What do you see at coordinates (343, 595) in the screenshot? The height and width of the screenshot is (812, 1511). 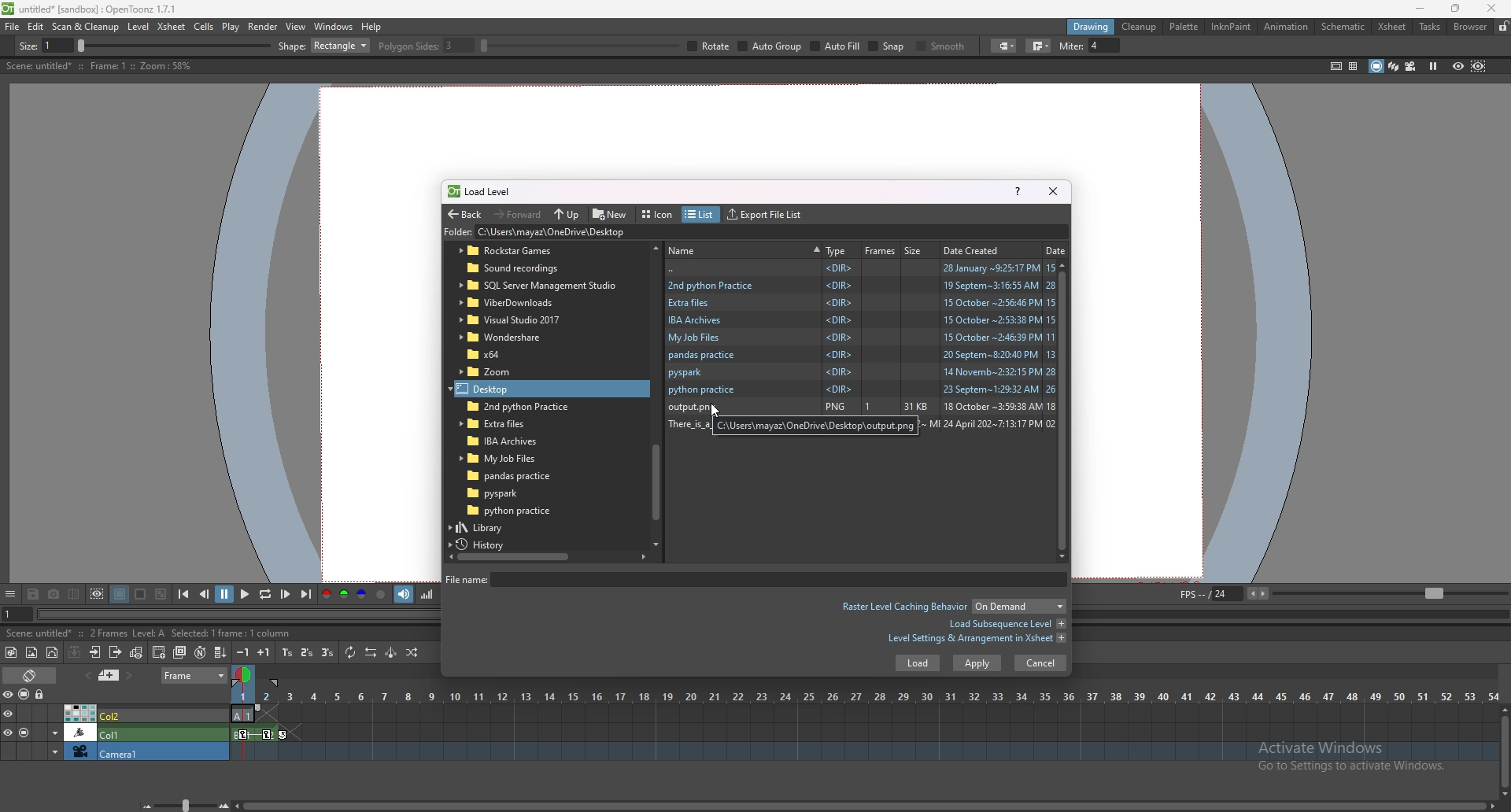 I see `green channel` at bounding box center [343, 595].